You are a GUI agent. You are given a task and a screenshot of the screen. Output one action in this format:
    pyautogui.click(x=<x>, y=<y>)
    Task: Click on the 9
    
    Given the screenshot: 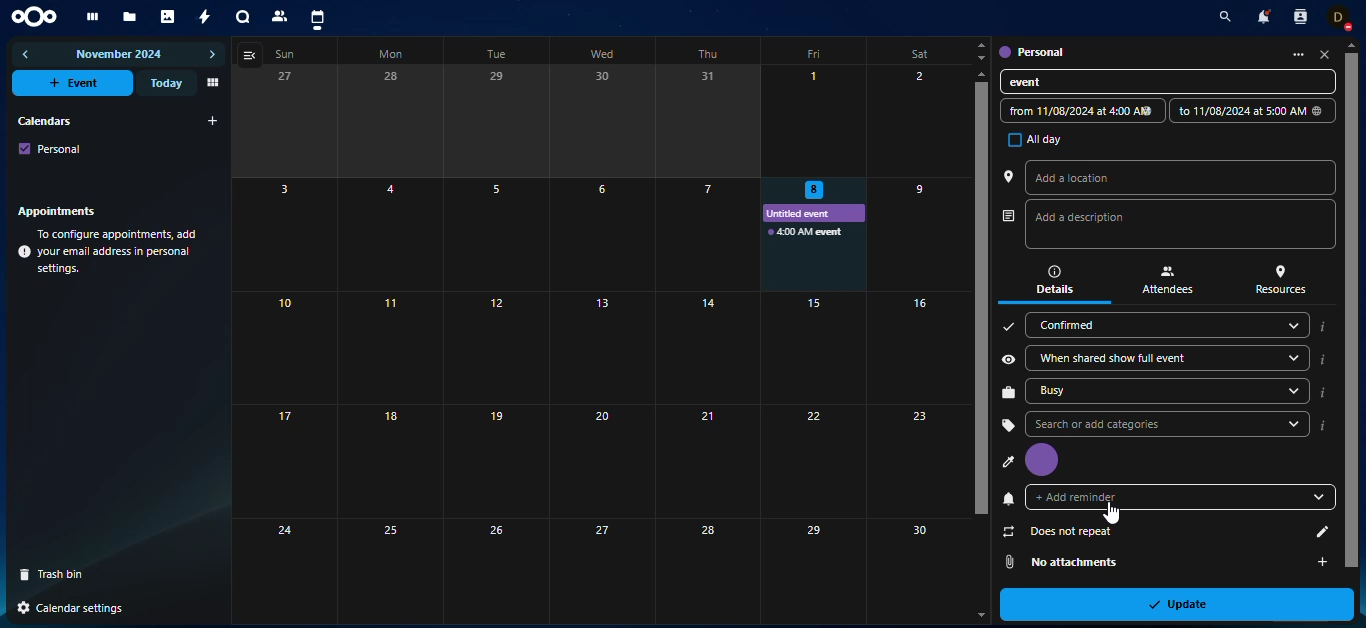 What is the action you would take?
    pyautogui.click(x=915, y=232)
    